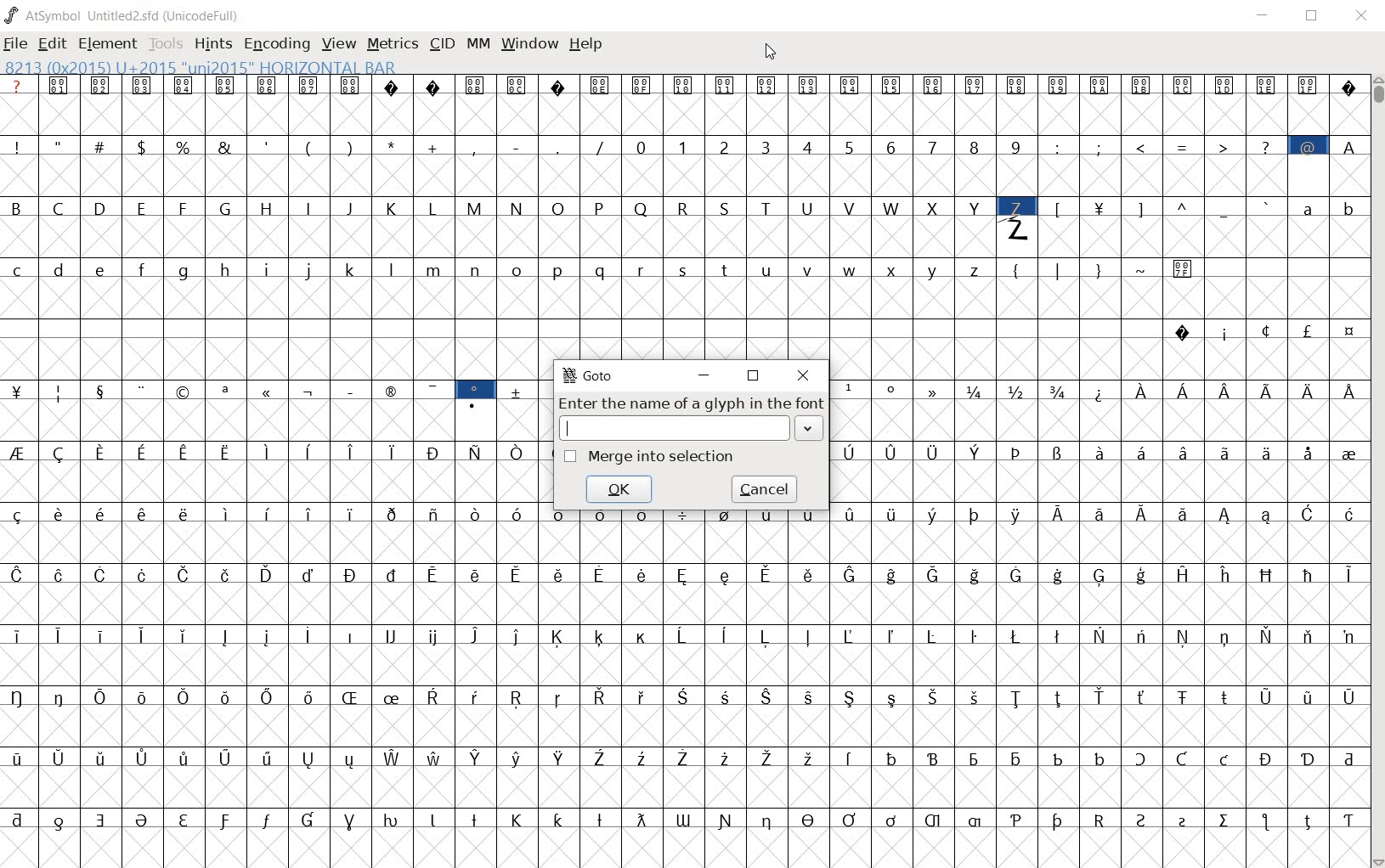 The image size is (1385, 868). What do you see at coordinates (1265, 16) in the screenshot?
I see `MINIMIZE` at bounding box center [1265, 16].